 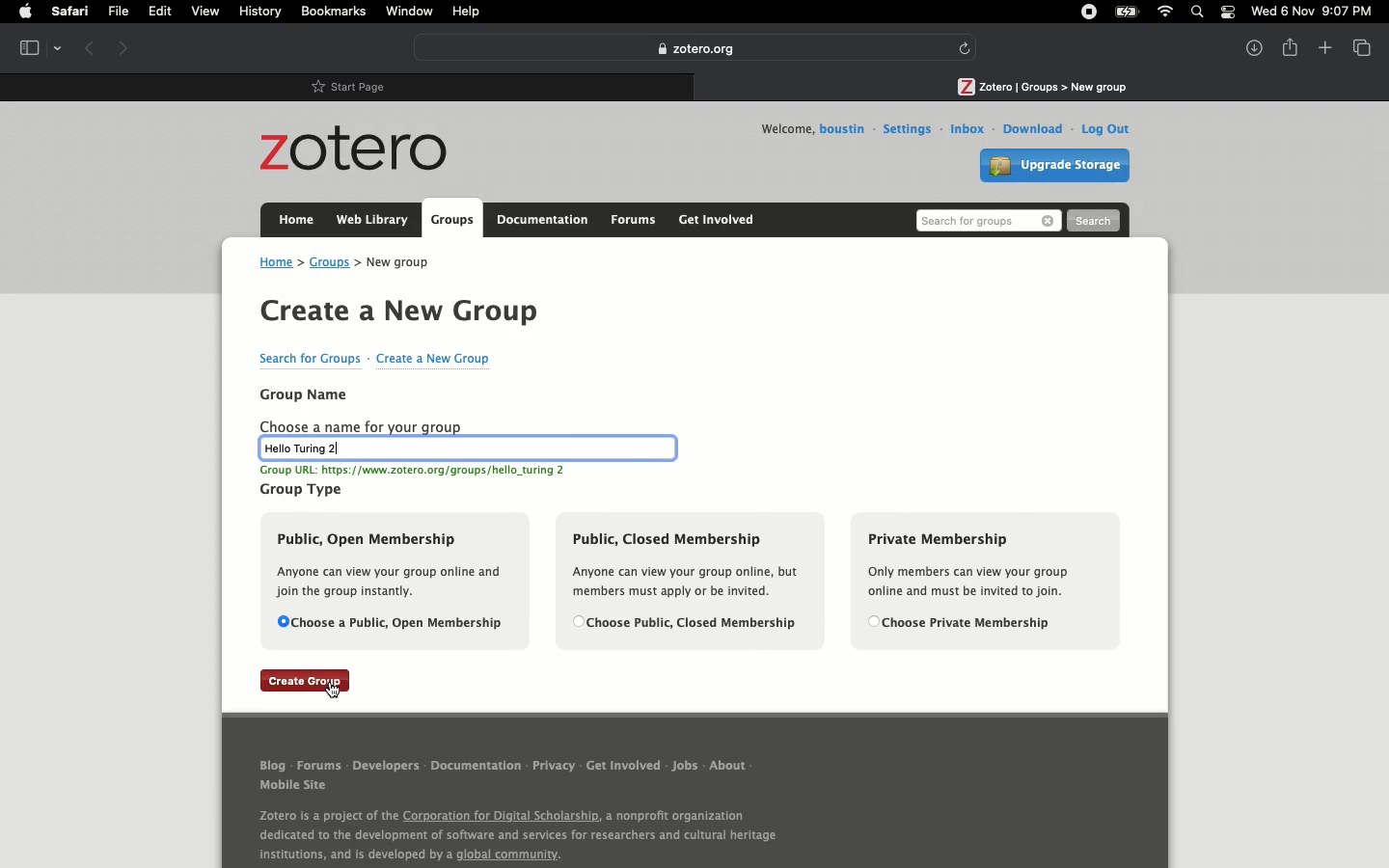 What do you see at coordinates (398, 582) in the screenshot?
I see `Public open membership` at bounding box center [398, 582].